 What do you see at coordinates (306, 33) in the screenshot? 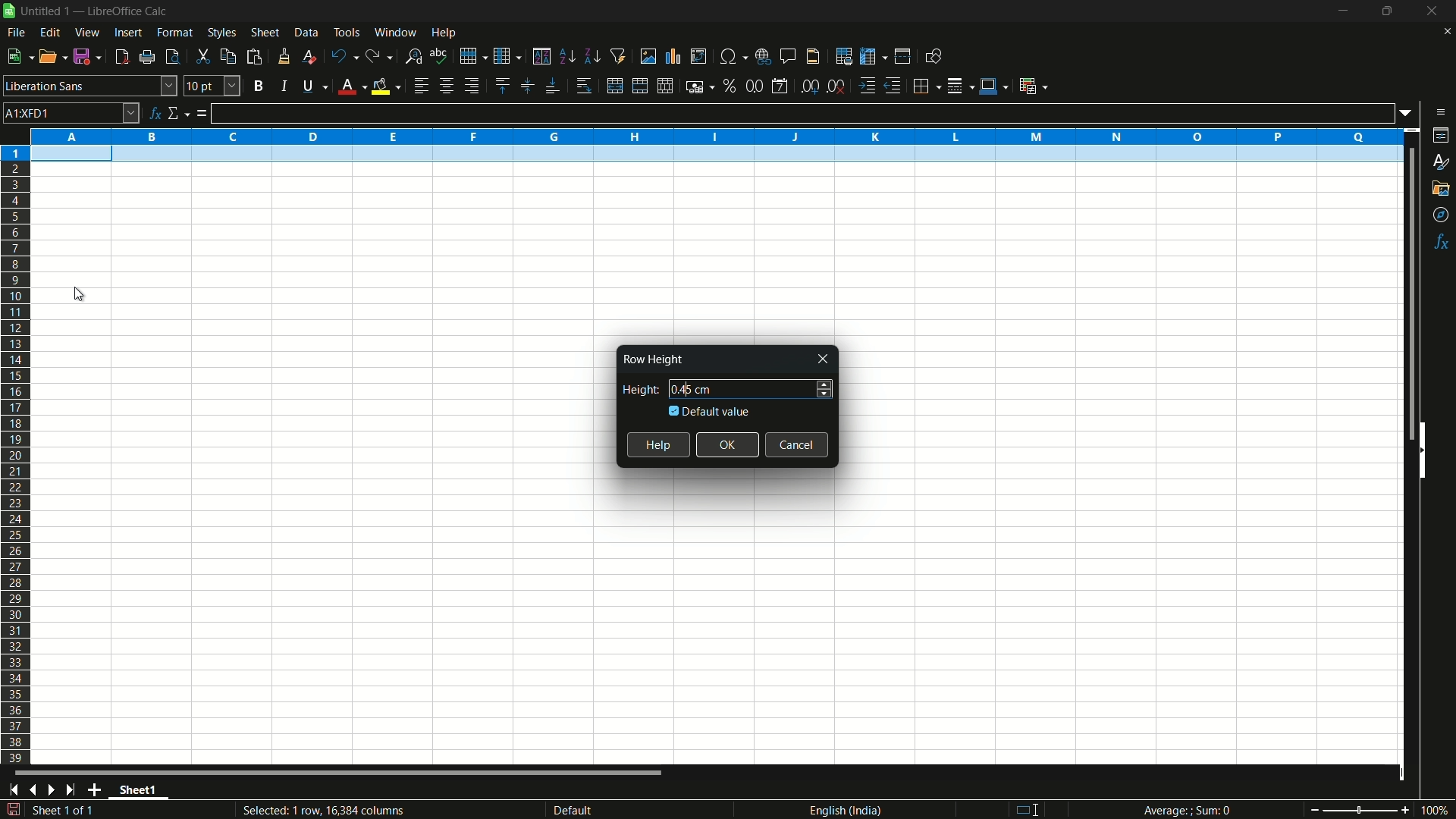
I see `data menu` at bounding box center [306, 33].